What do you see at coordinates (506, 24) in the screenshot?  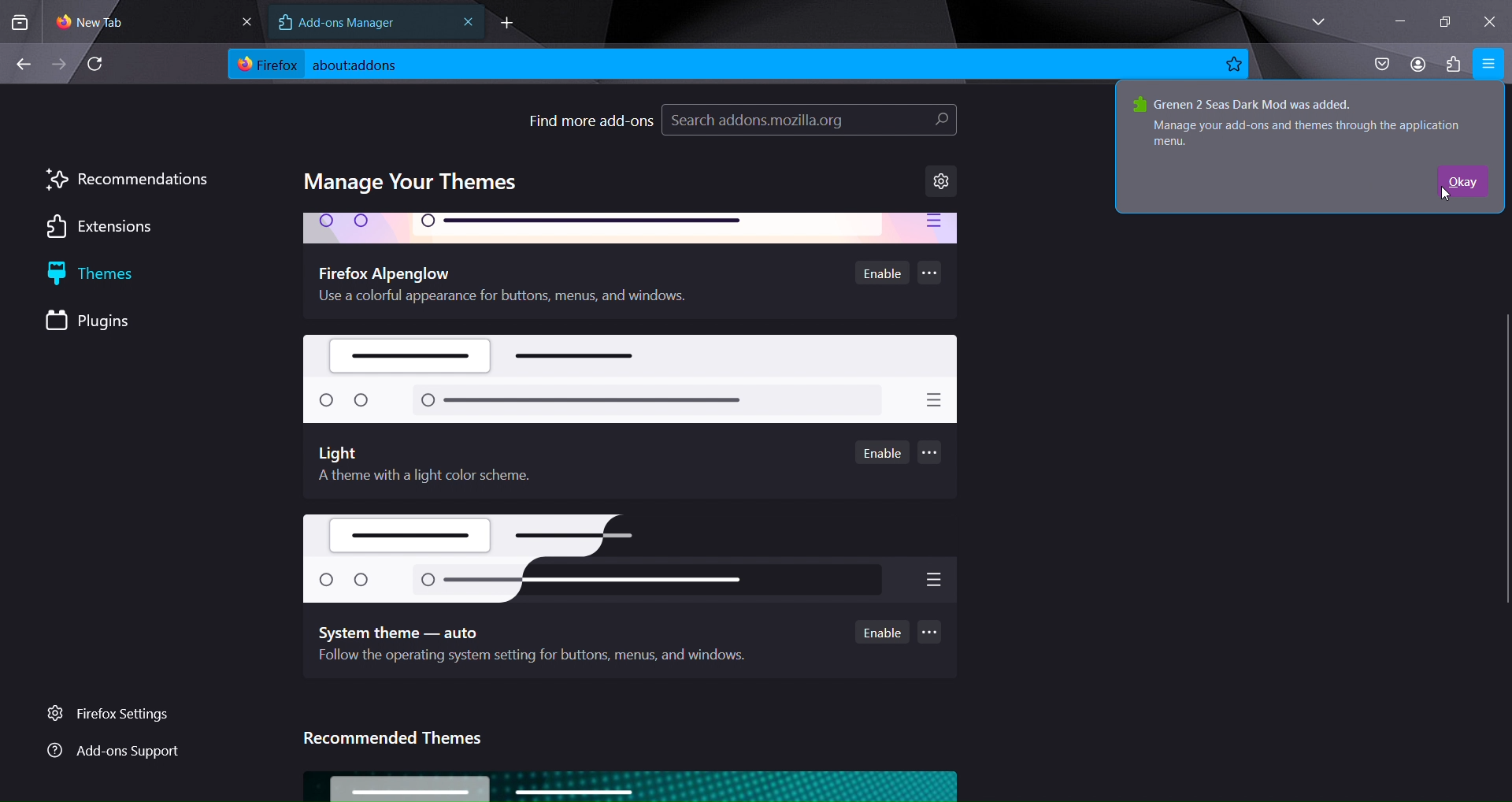 I see `new tab` at bounding box center [506, 24].